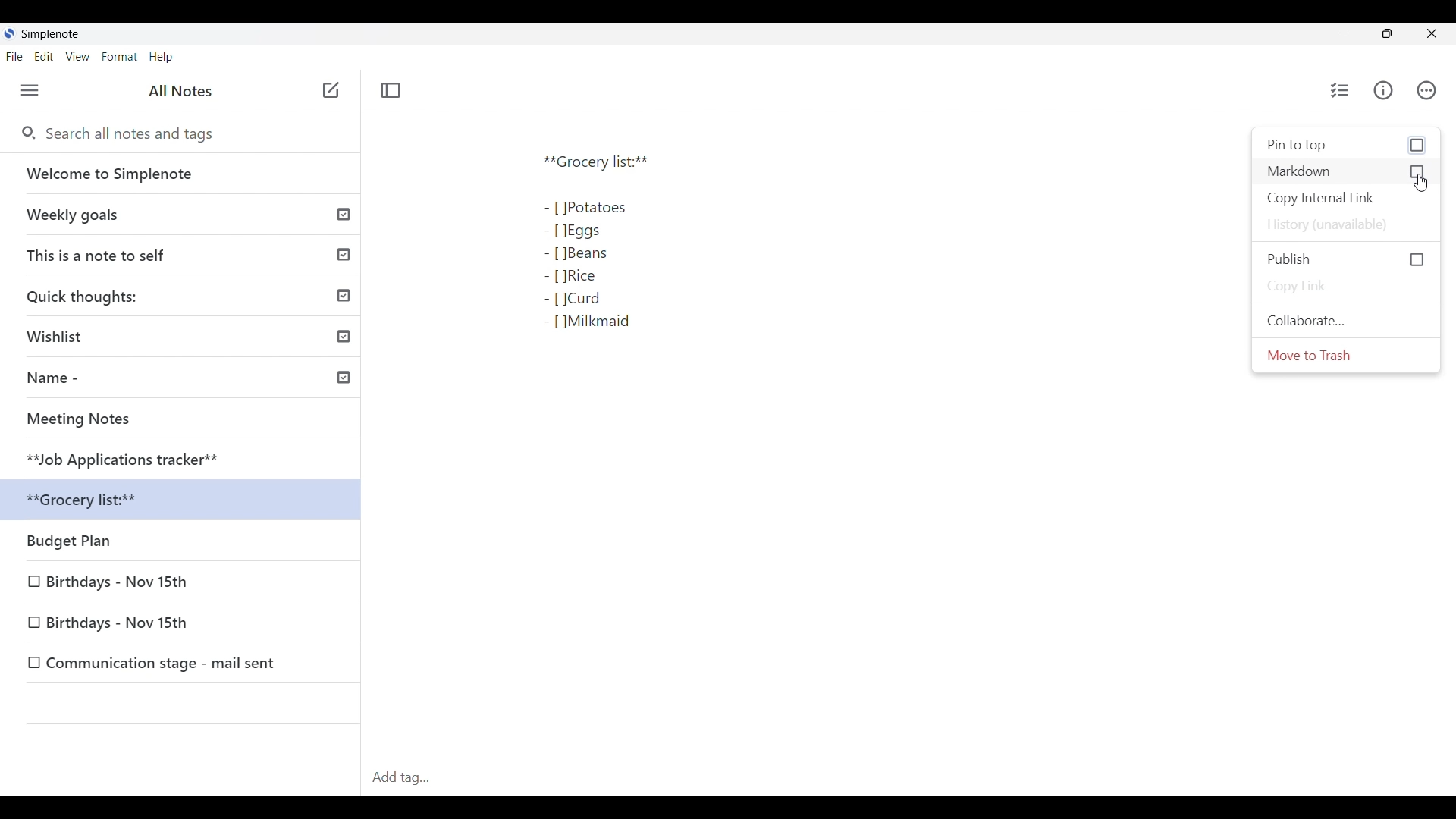  I want to click on Edit, so click(44, 57).